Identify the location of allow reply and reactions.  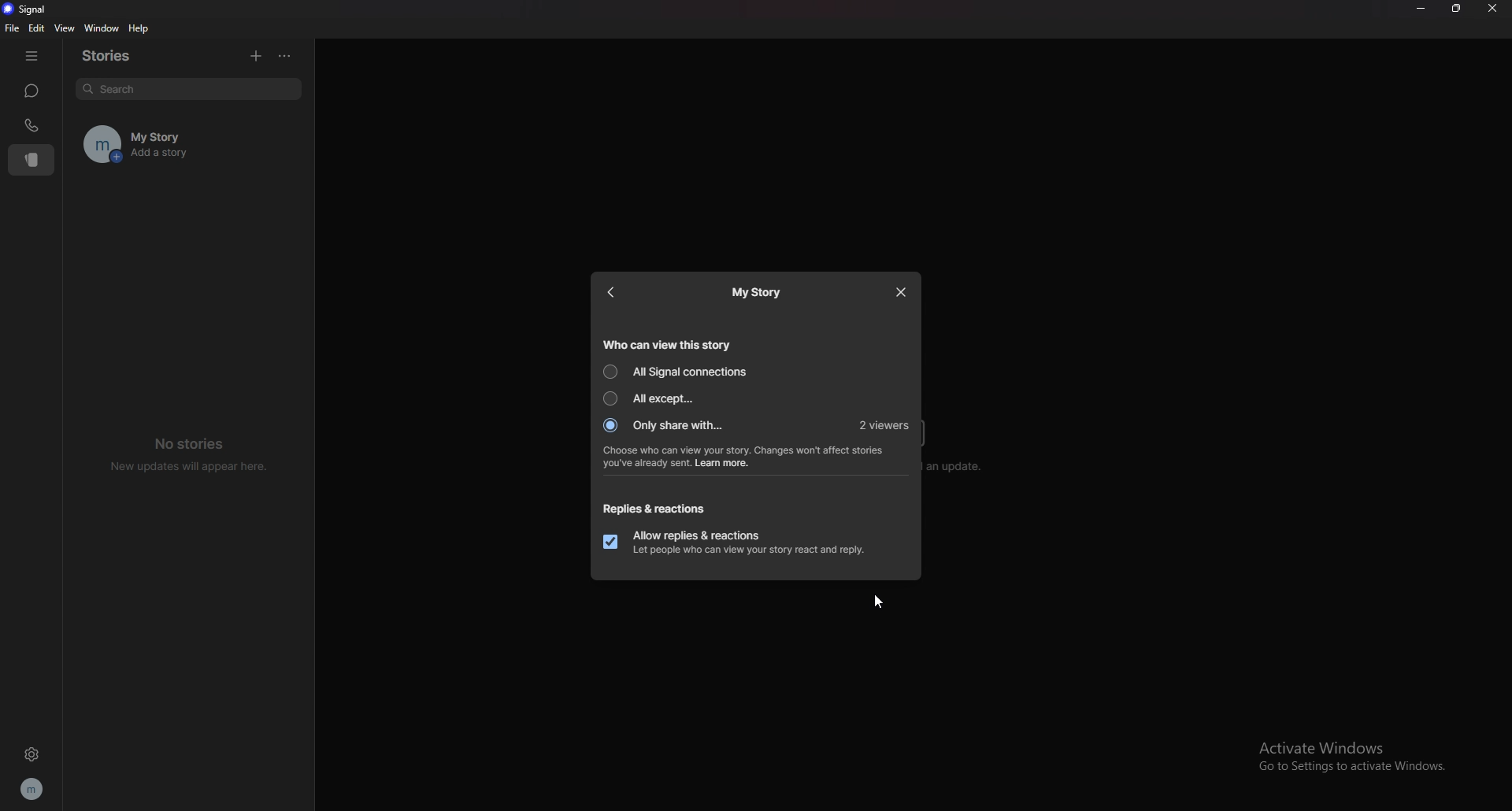
(739, 543).